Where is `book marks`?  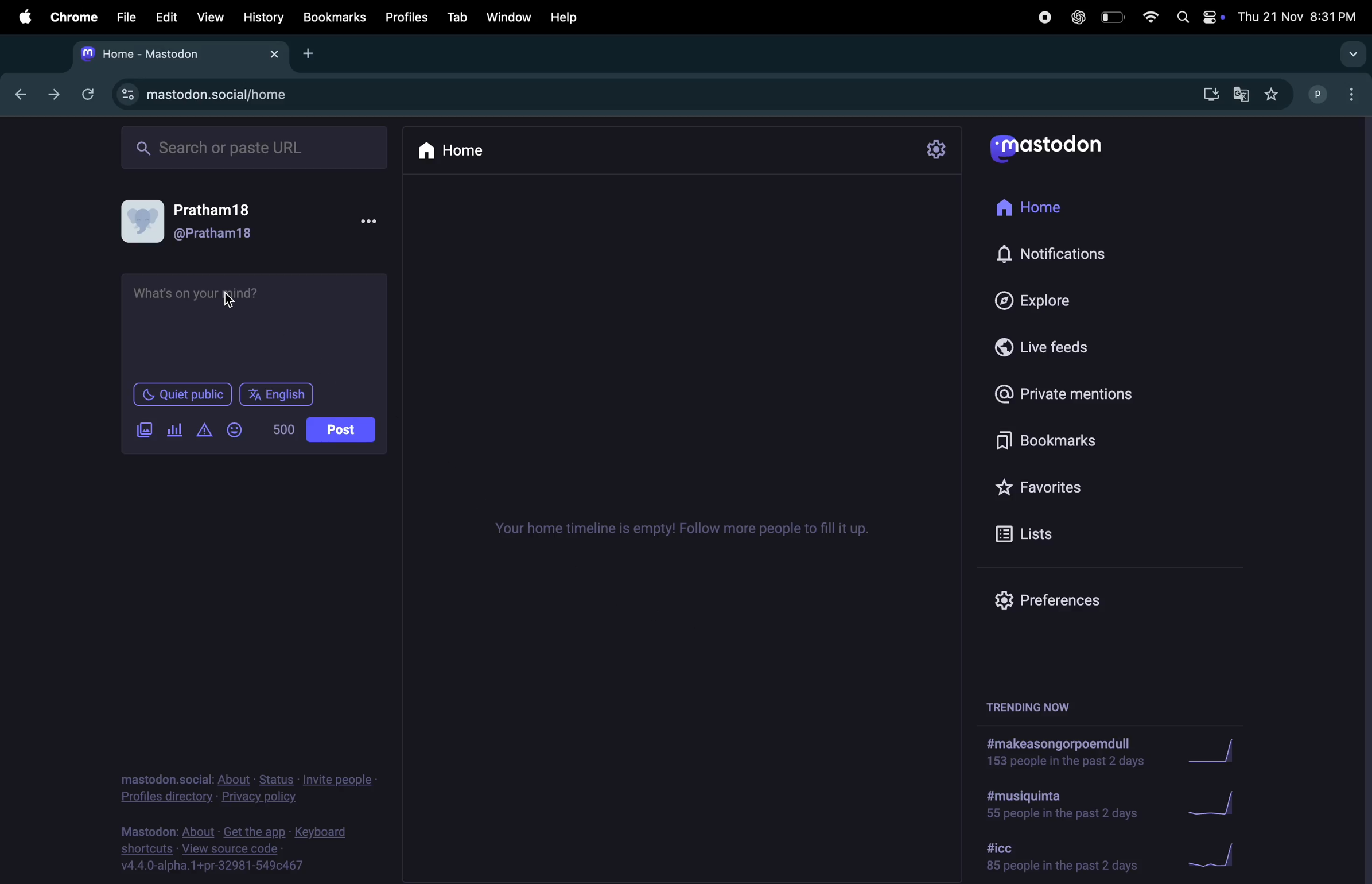 book marks is located at coordinates (333, 15).